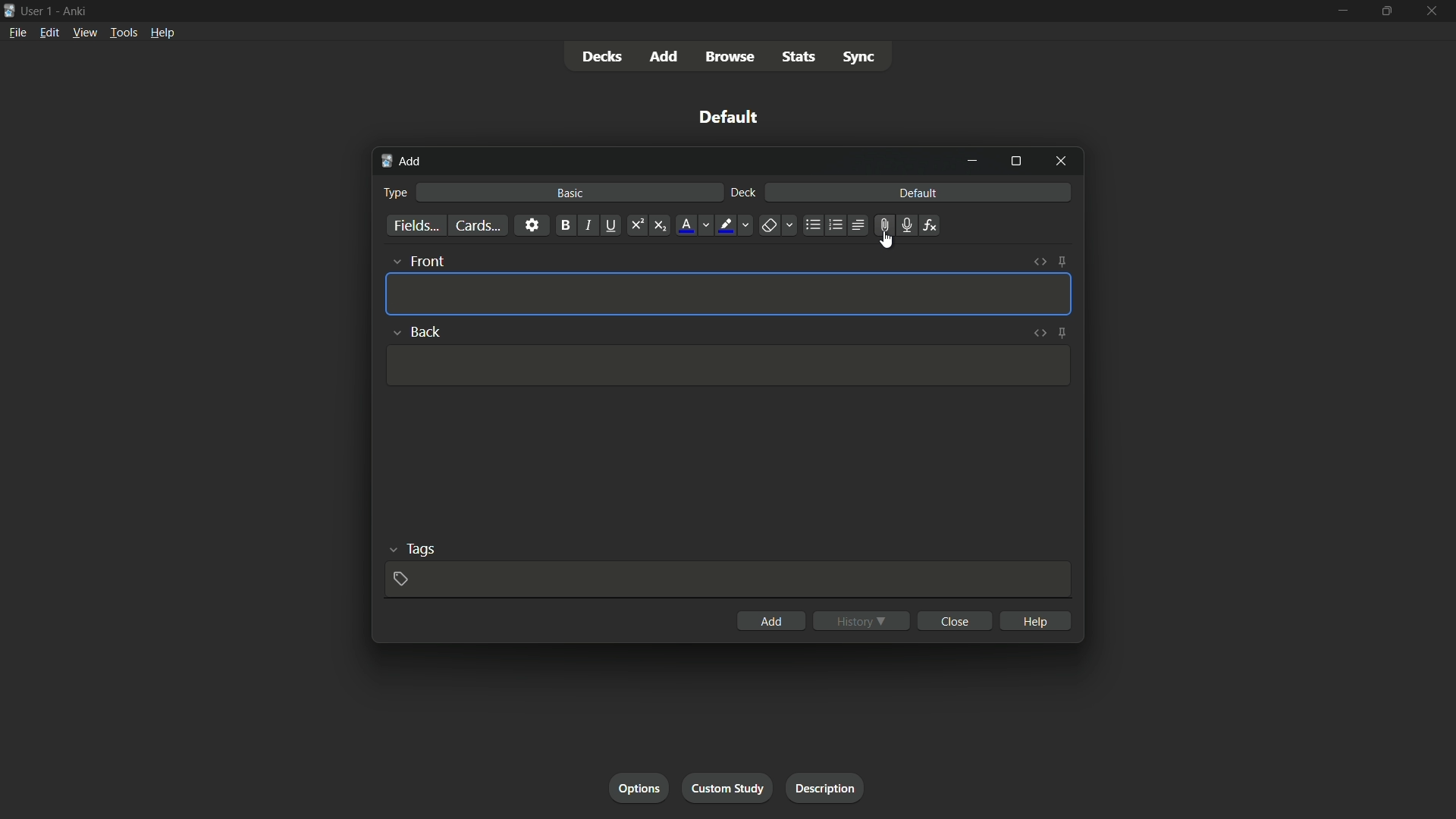  I want to click on browse, so click(729, 58).